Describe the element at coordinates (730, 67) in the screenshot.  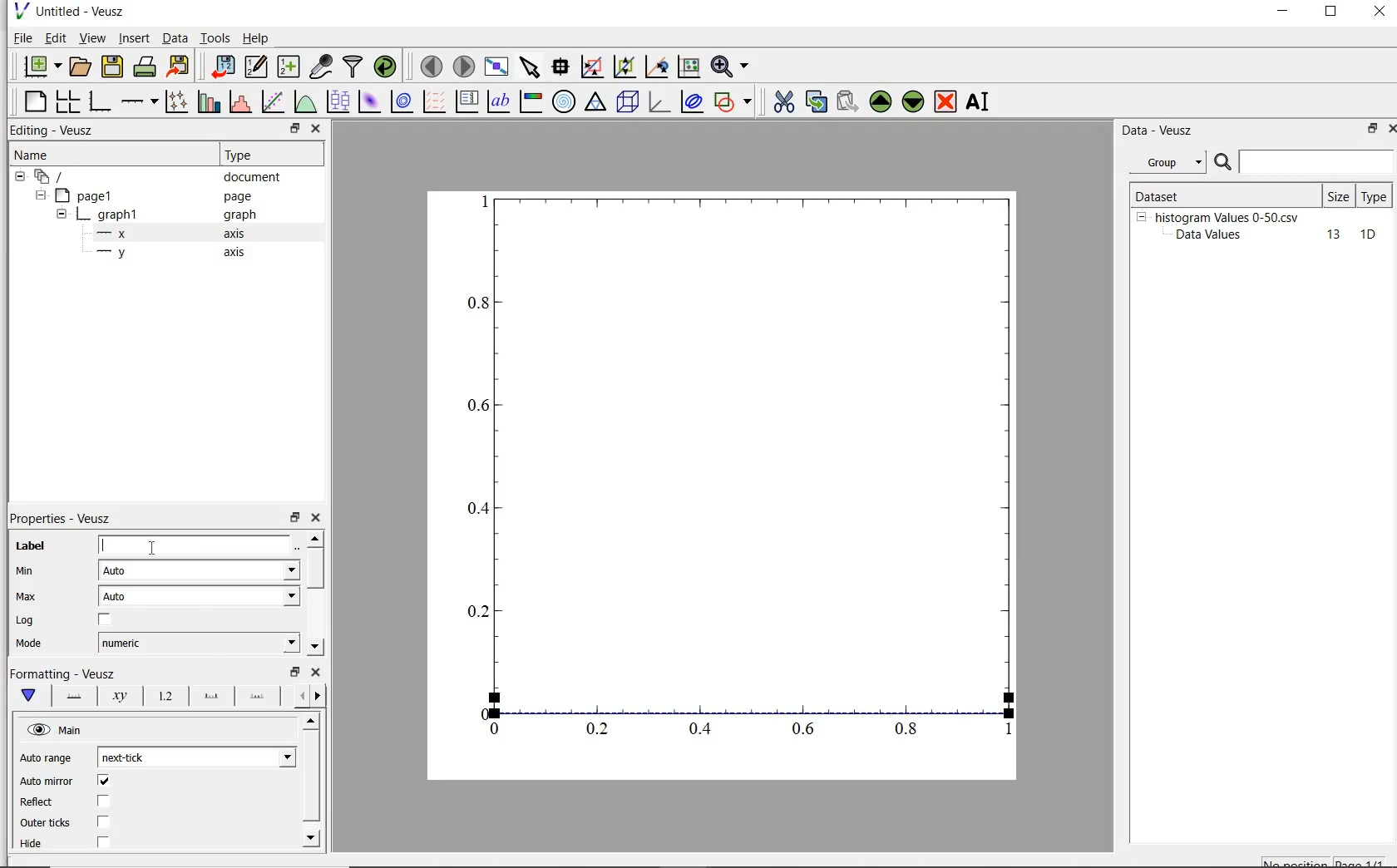
I see `zoom functions menu` at that location.